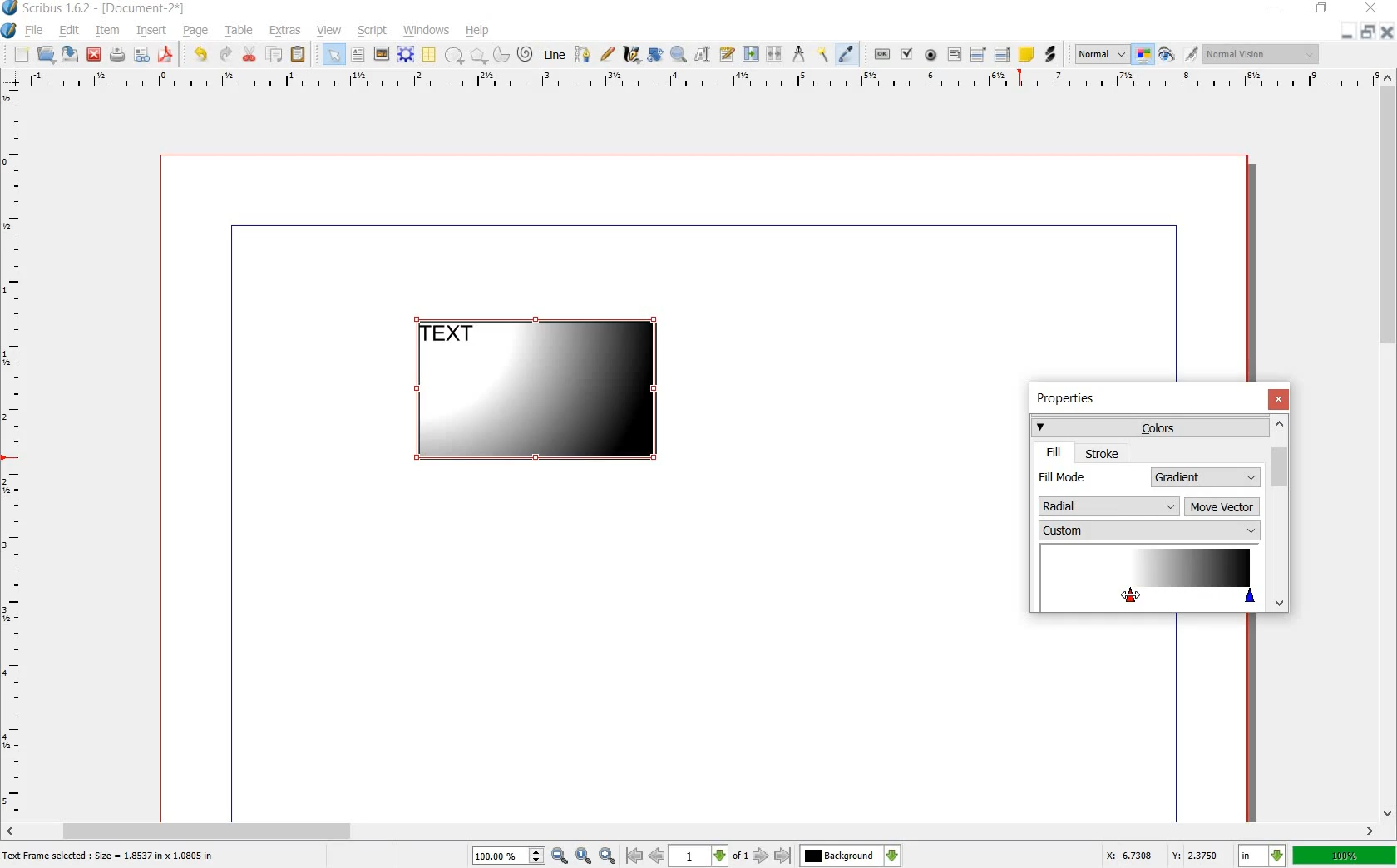 The width and height of the screenshot is (1397, 868). What do you see at coordinates (1278, 399) in the screenshot?
I see `close` at bounding box center [1278, 399].